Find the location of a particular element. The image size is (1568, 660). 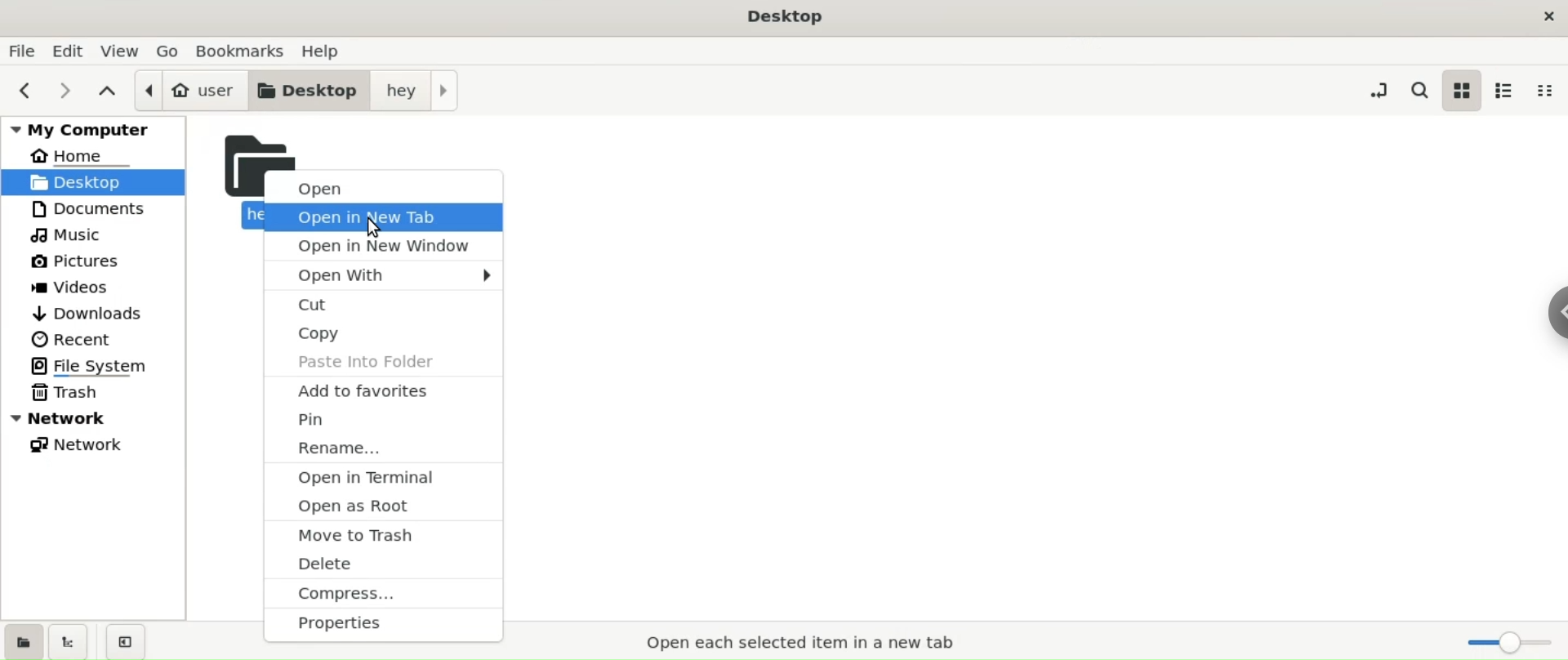

compact view is located at coordinates (1546, 91).